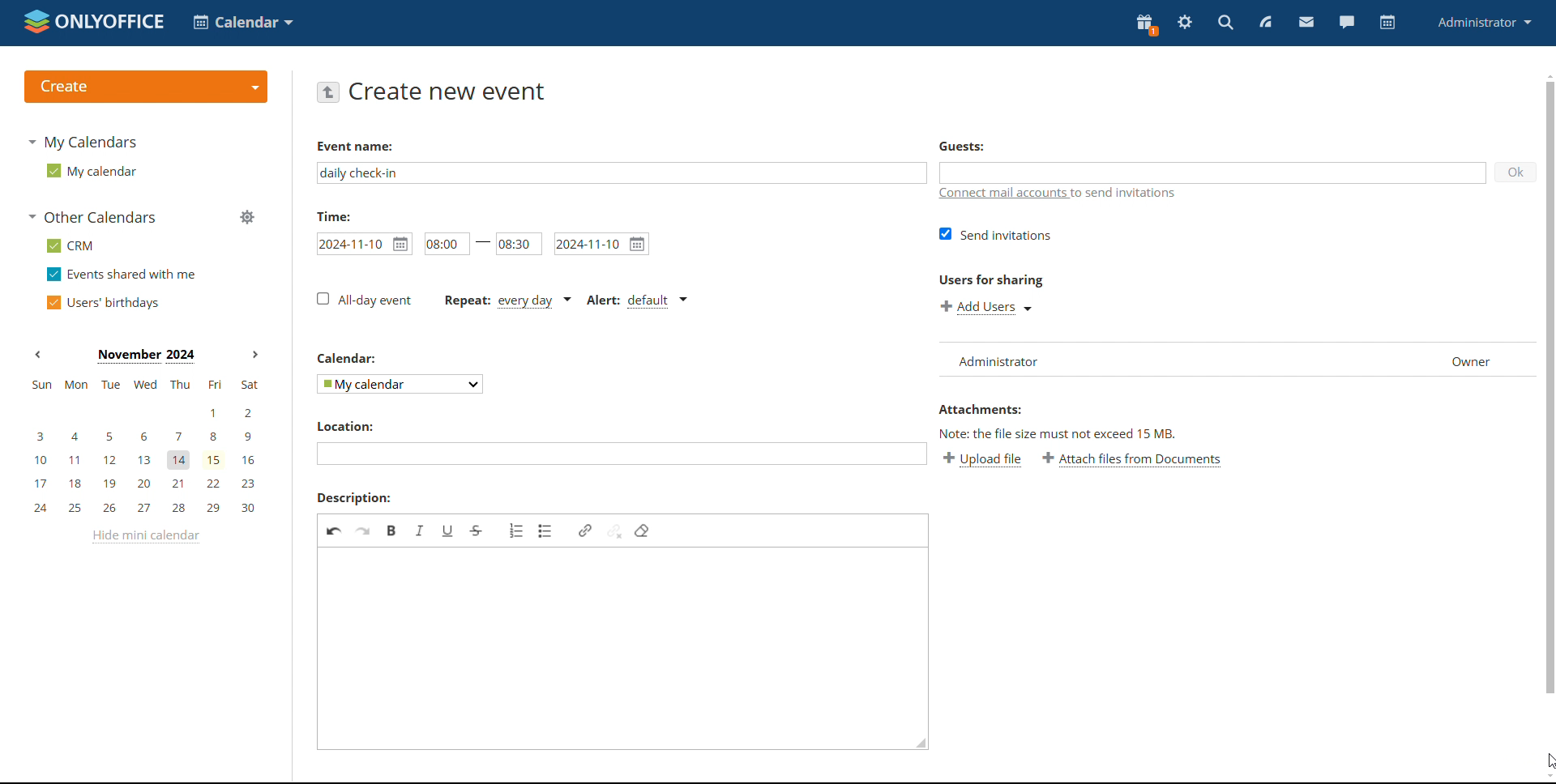 The image size is (1556, 784). Describe the element at coordinates (67, 245) in the screenshot. I see `crm` at that location.